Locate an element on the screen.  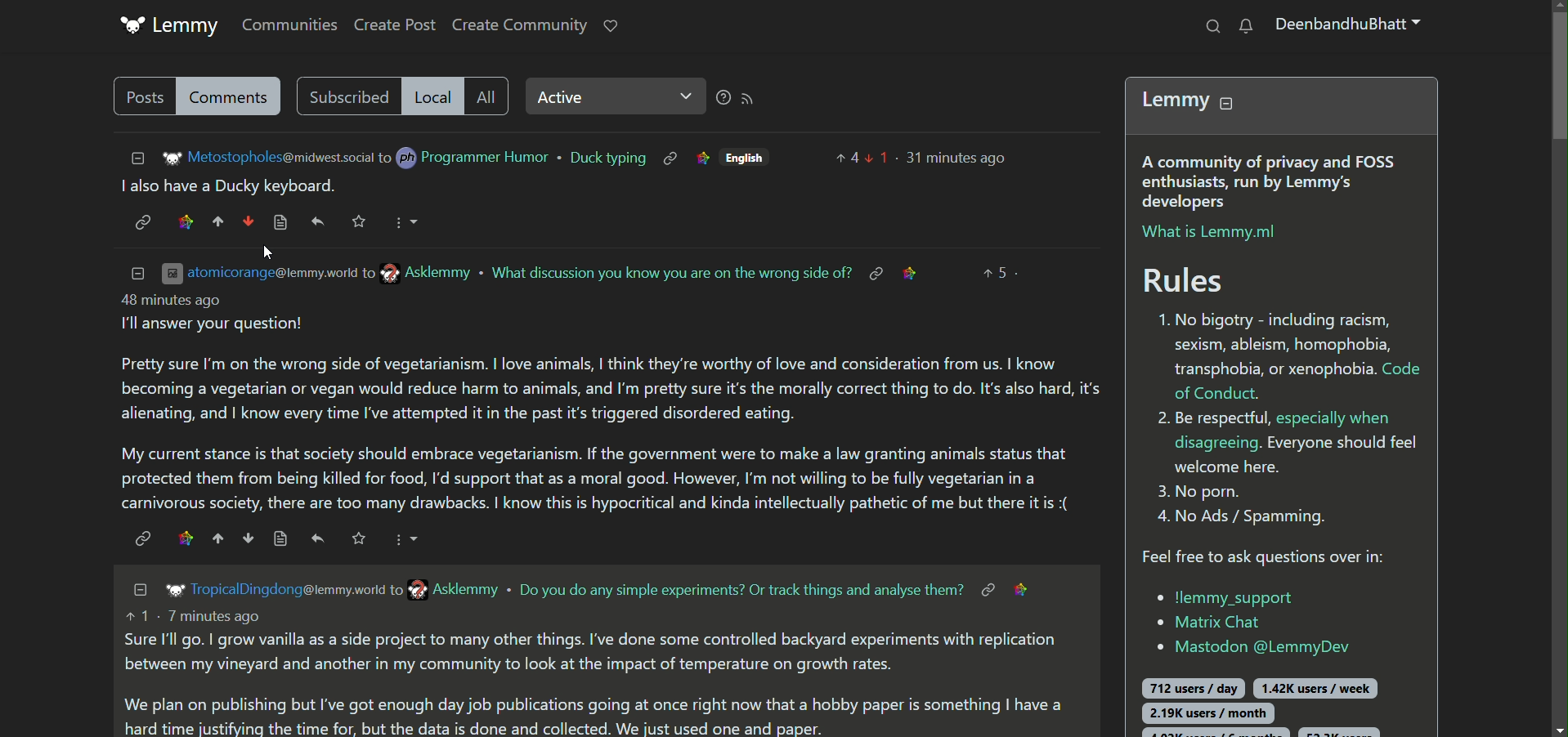
hyperlink is located at coordinates (875, 273).